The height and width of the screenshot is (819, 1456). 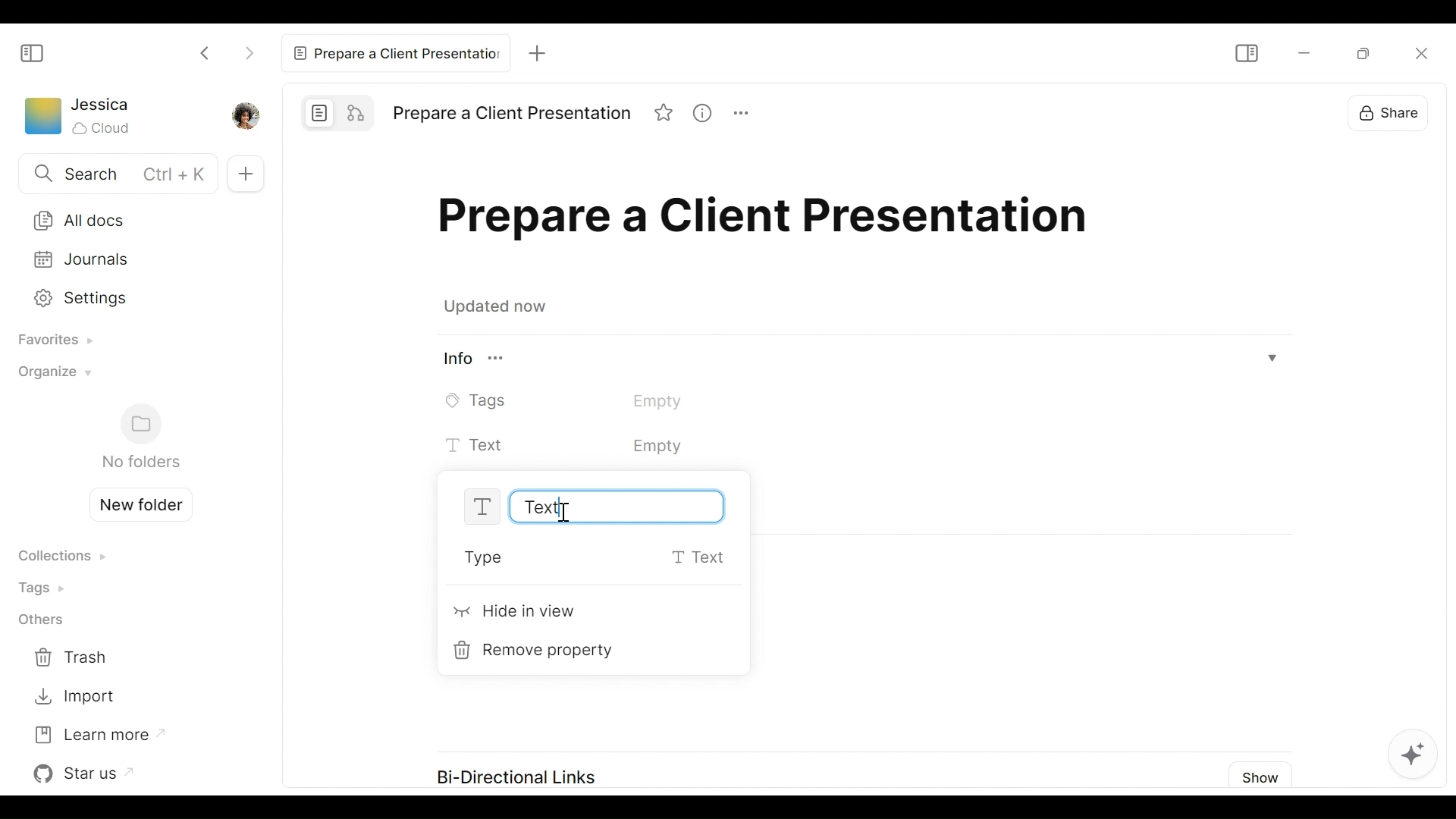 What do you see at coordinates (140, 438) in the screenshot?
I see `Folders` at bounding box center [140, 438].